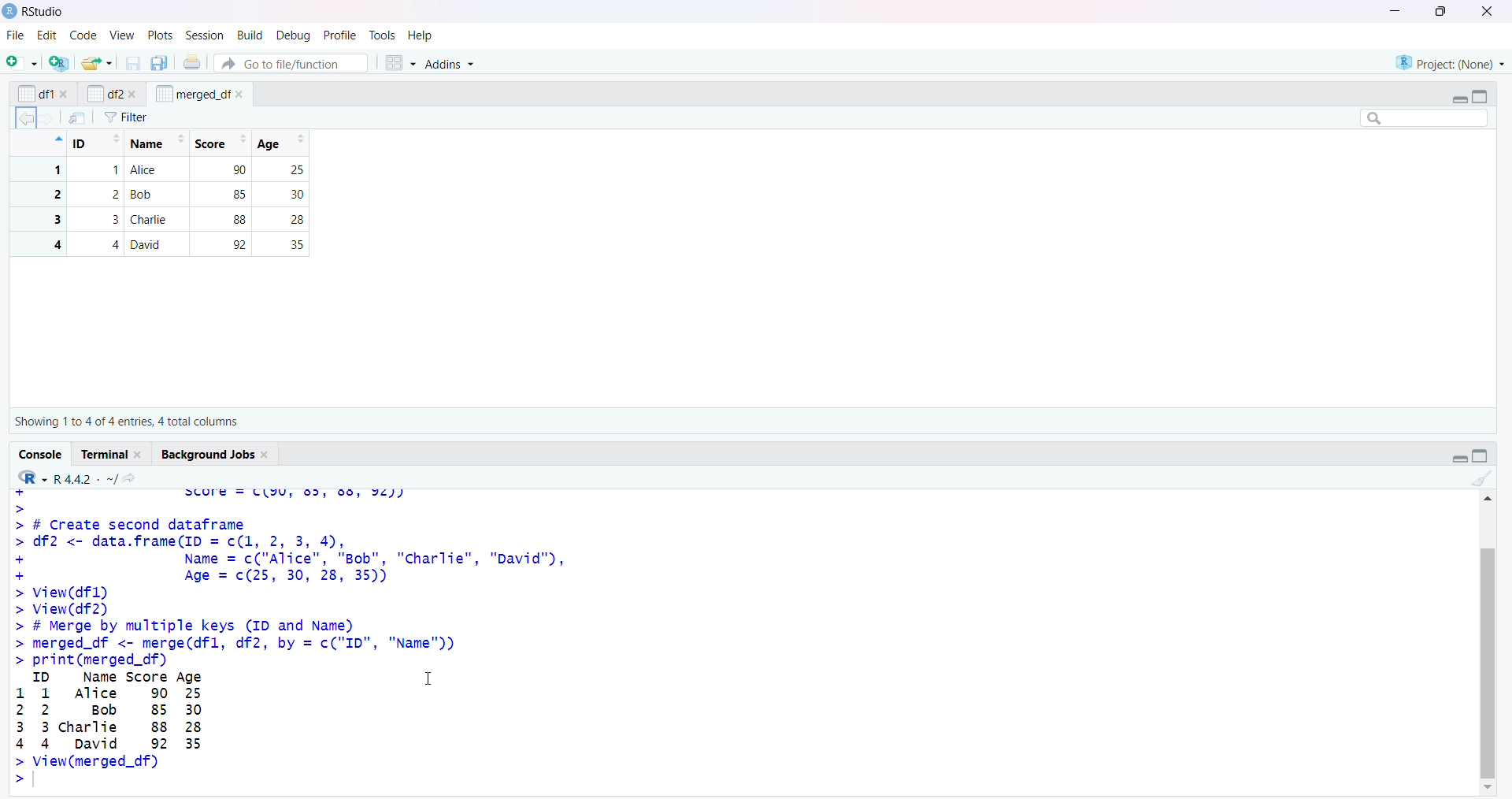 This screenshot has height=799, width=1512. Describe the element at coordinates (281, 143) in the screenshot. I see `Age` at that location.